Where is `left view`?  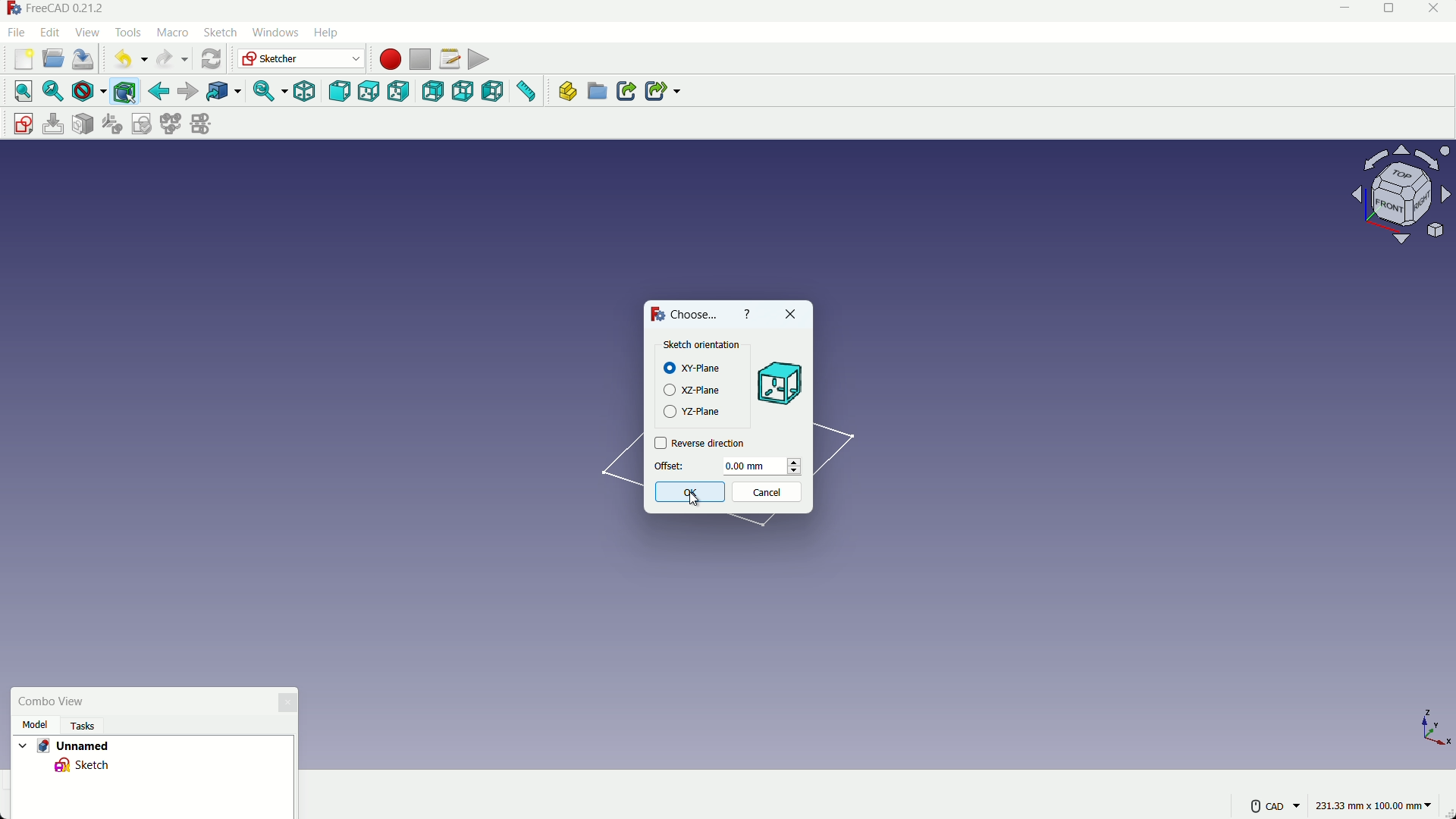 left view is located at coordinates (490, 90).